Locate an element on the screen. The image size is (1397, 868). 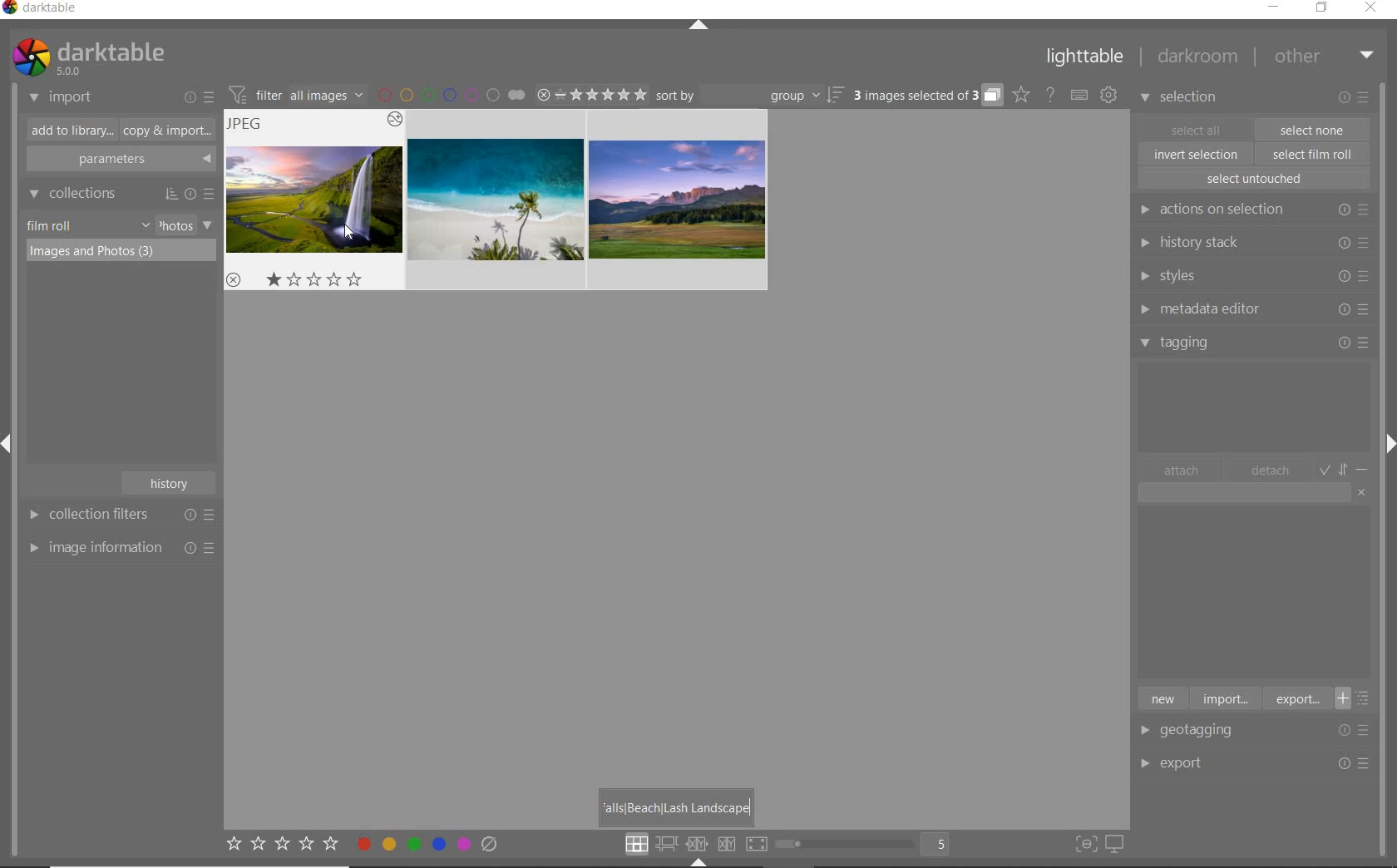
set star rating for selected images is located at coordinates (281, 846).